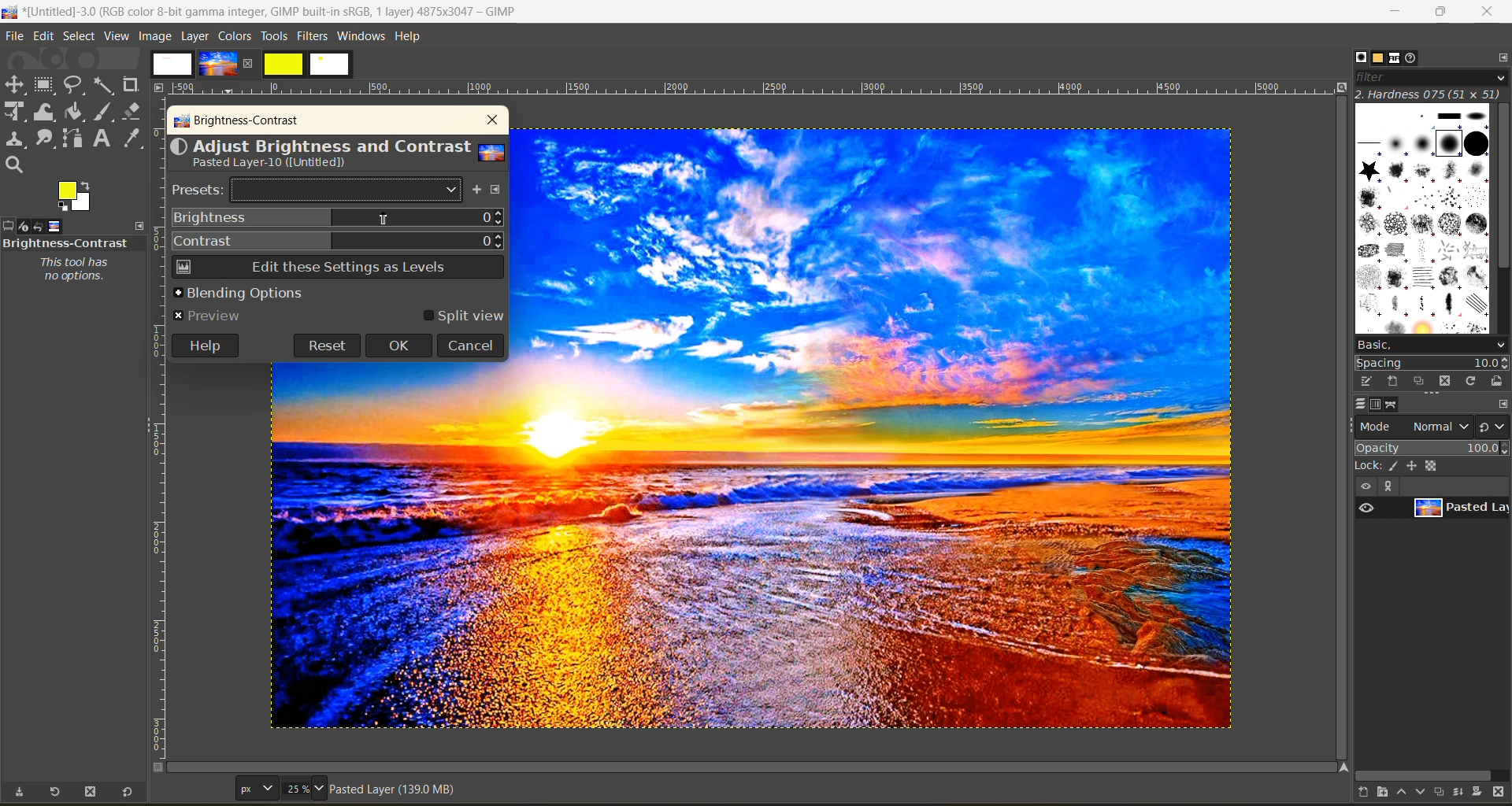 The height and width of the screenshot is (806, 1512). Describe the element at coordinates (1422, 793) in the screenshot. I see `lower this layer` at that location.